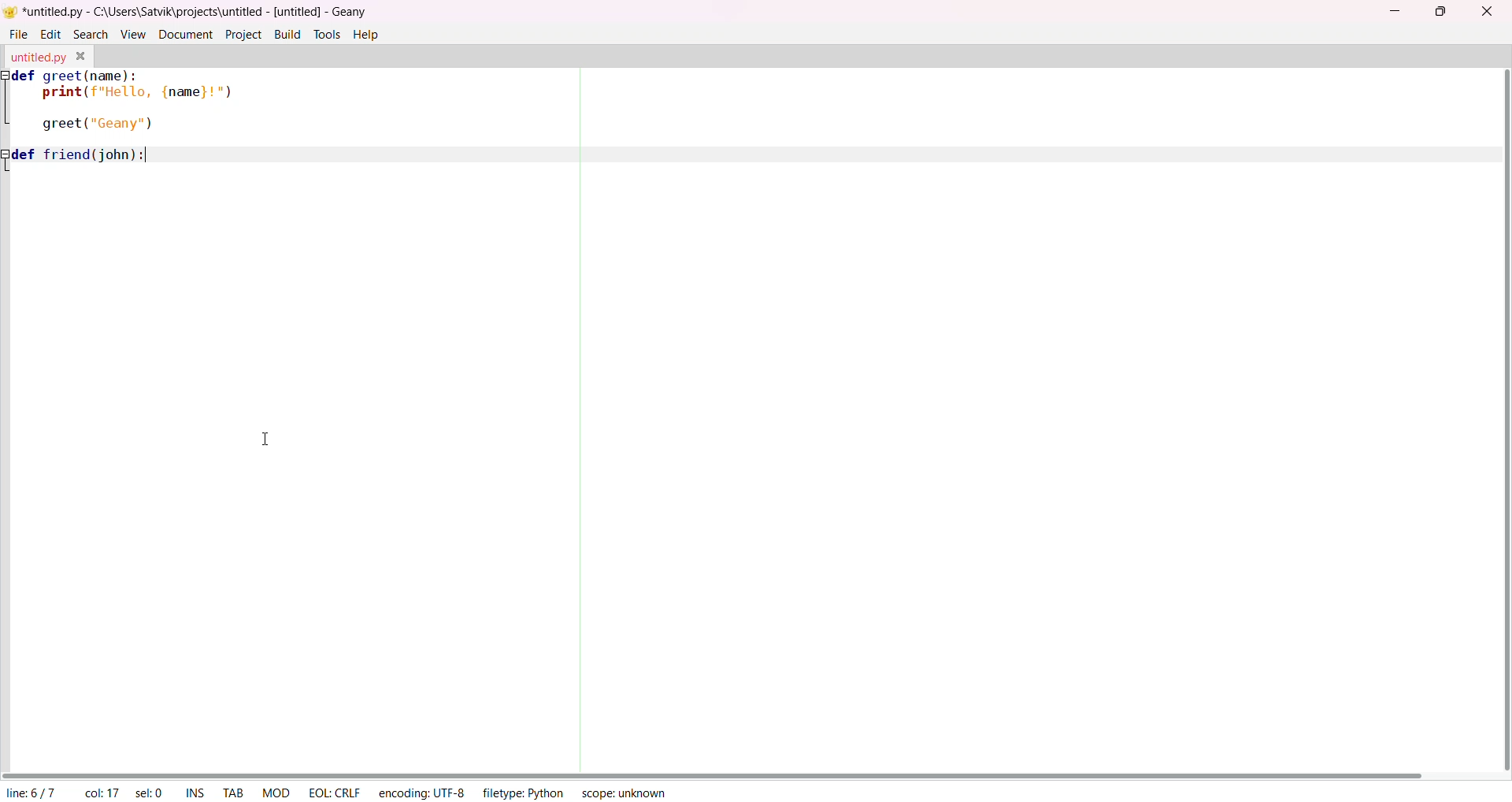  What do you see at coordinates (201, 10) in the screenshot?
I see `| *untitled.py - C:\Users\Satvik\projects\untitled - [untitled] - Geany` at bounding box center [201, 10].